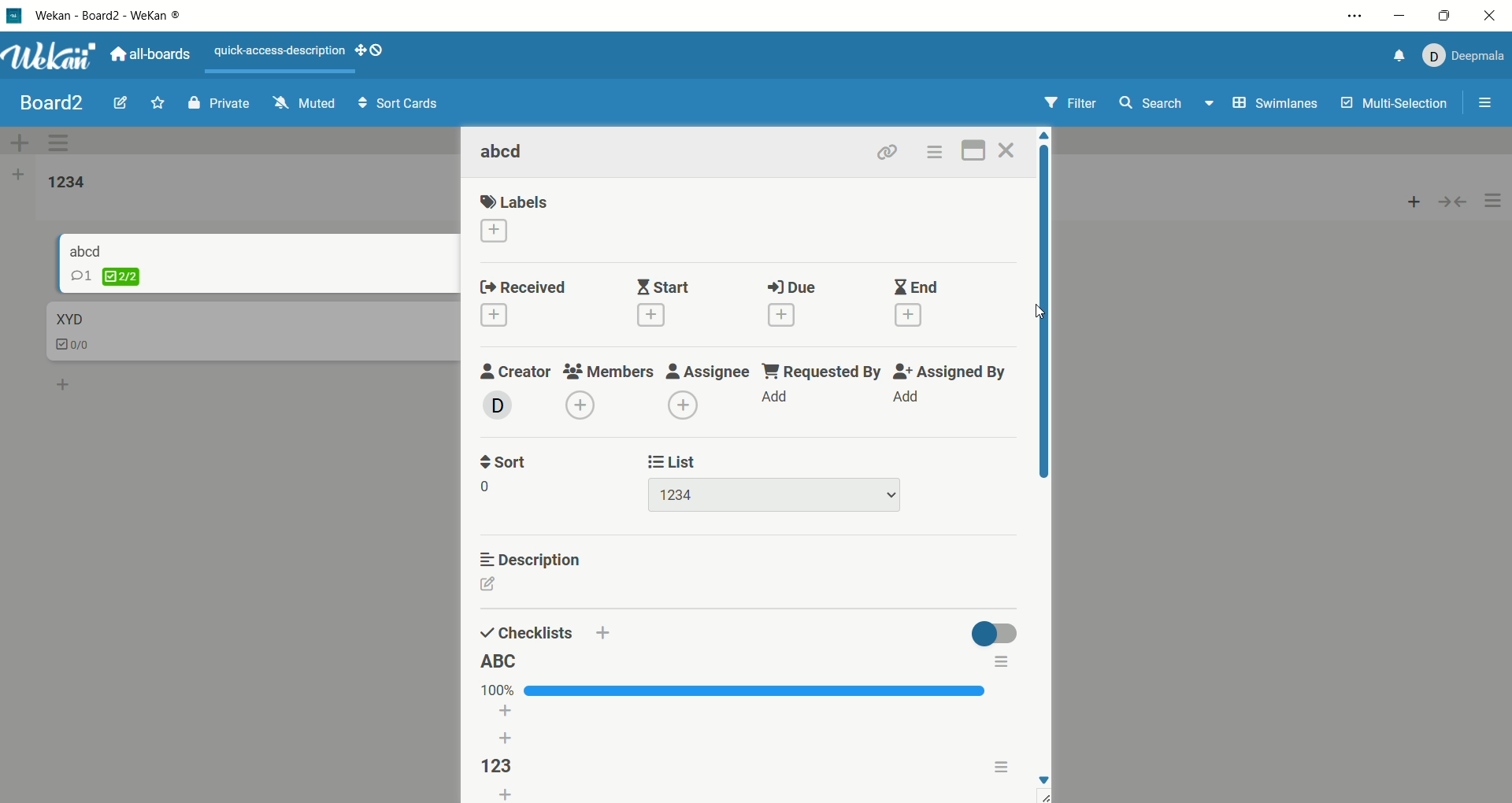 Image resolution: width=1512 pixels, height=803 pixels. I want to click on wekan-wekan, so click(108, 17).